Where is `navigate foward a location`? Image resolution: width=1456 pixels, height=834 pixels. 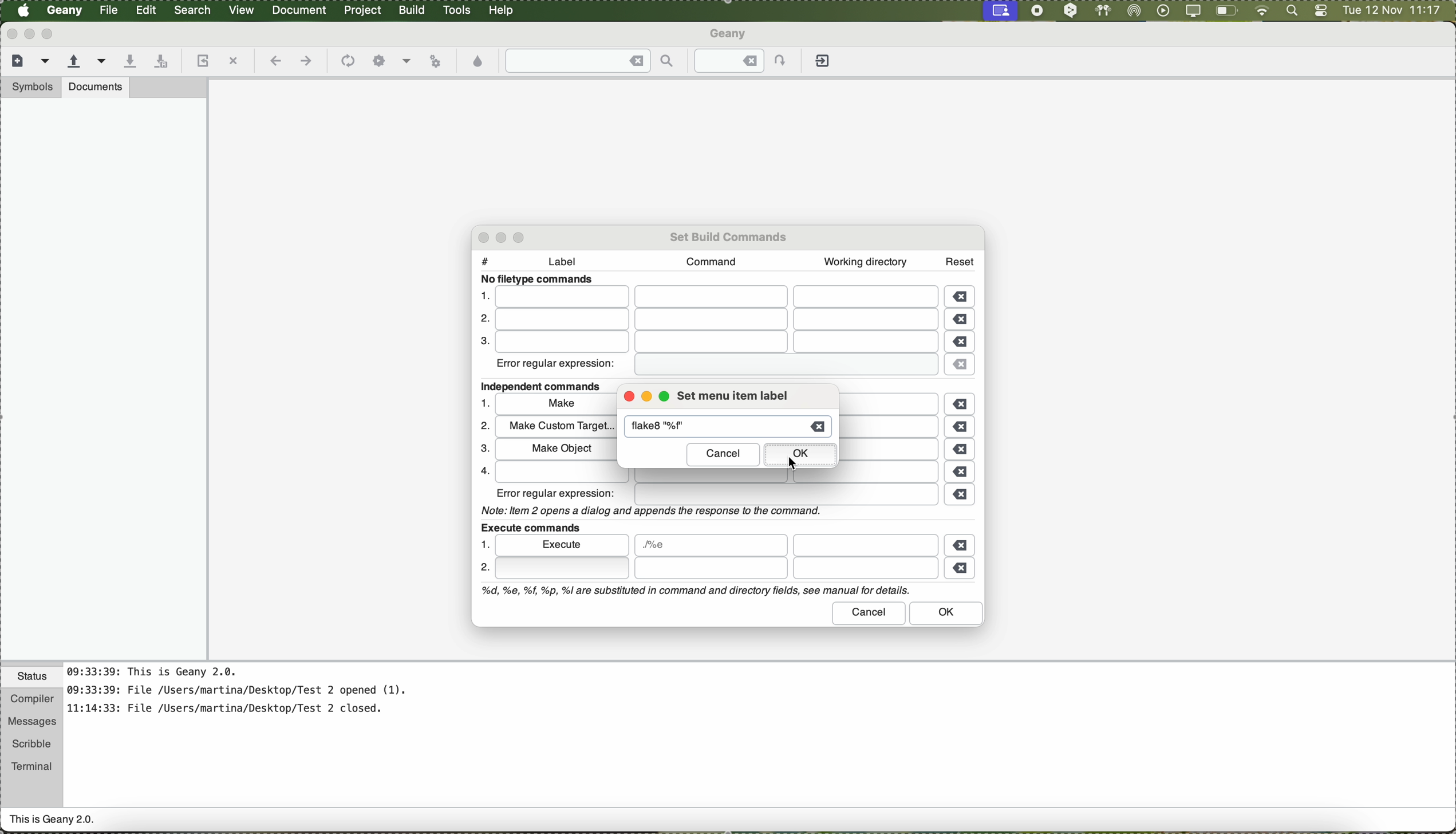 navigate foward a location is located at coordinates (305, 61).